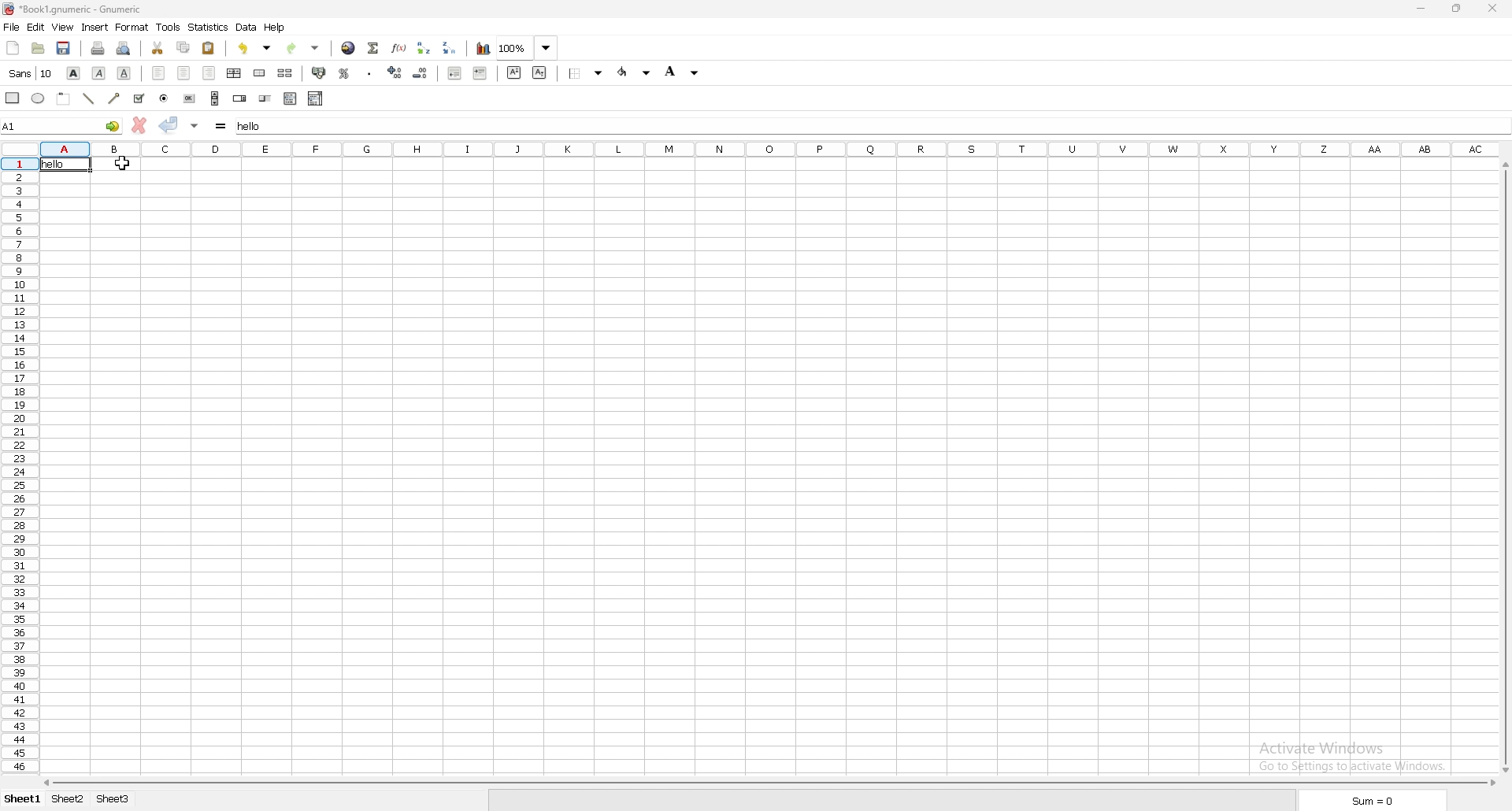  I want to click on file, so click(11, 27).